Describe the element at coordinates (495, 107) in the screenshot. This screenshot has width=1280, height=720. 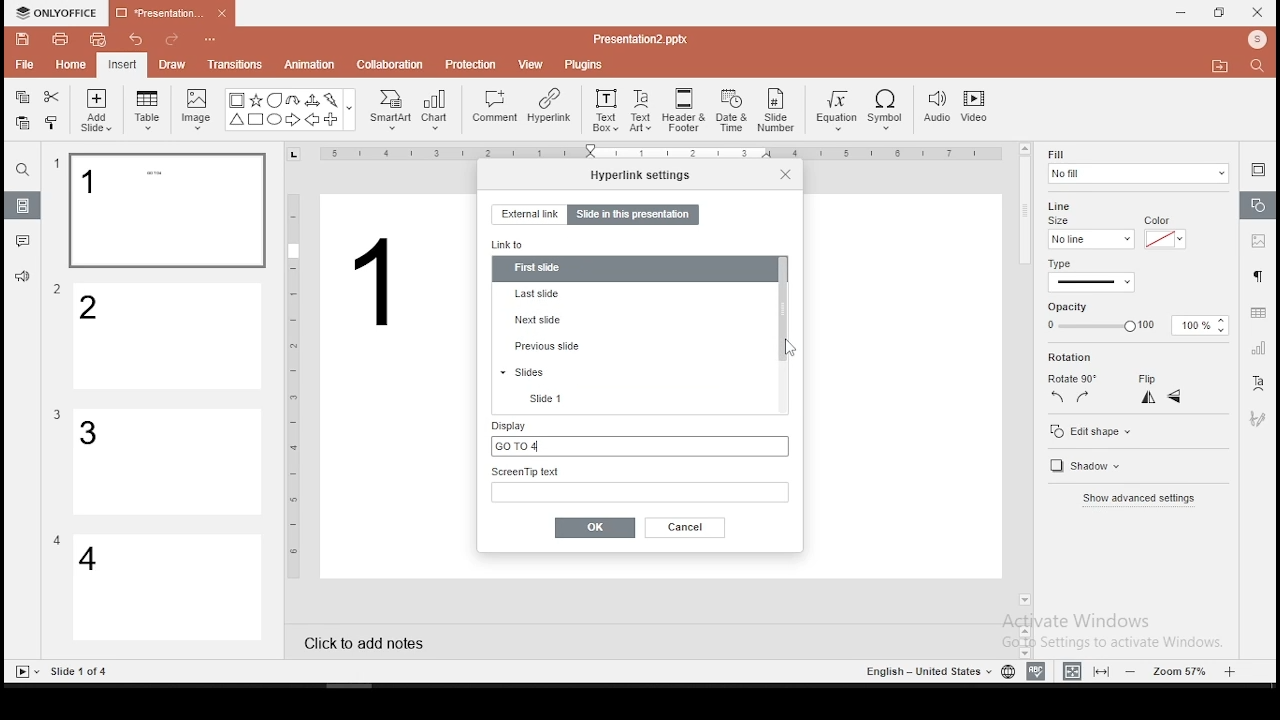
I see `comment` at that location.